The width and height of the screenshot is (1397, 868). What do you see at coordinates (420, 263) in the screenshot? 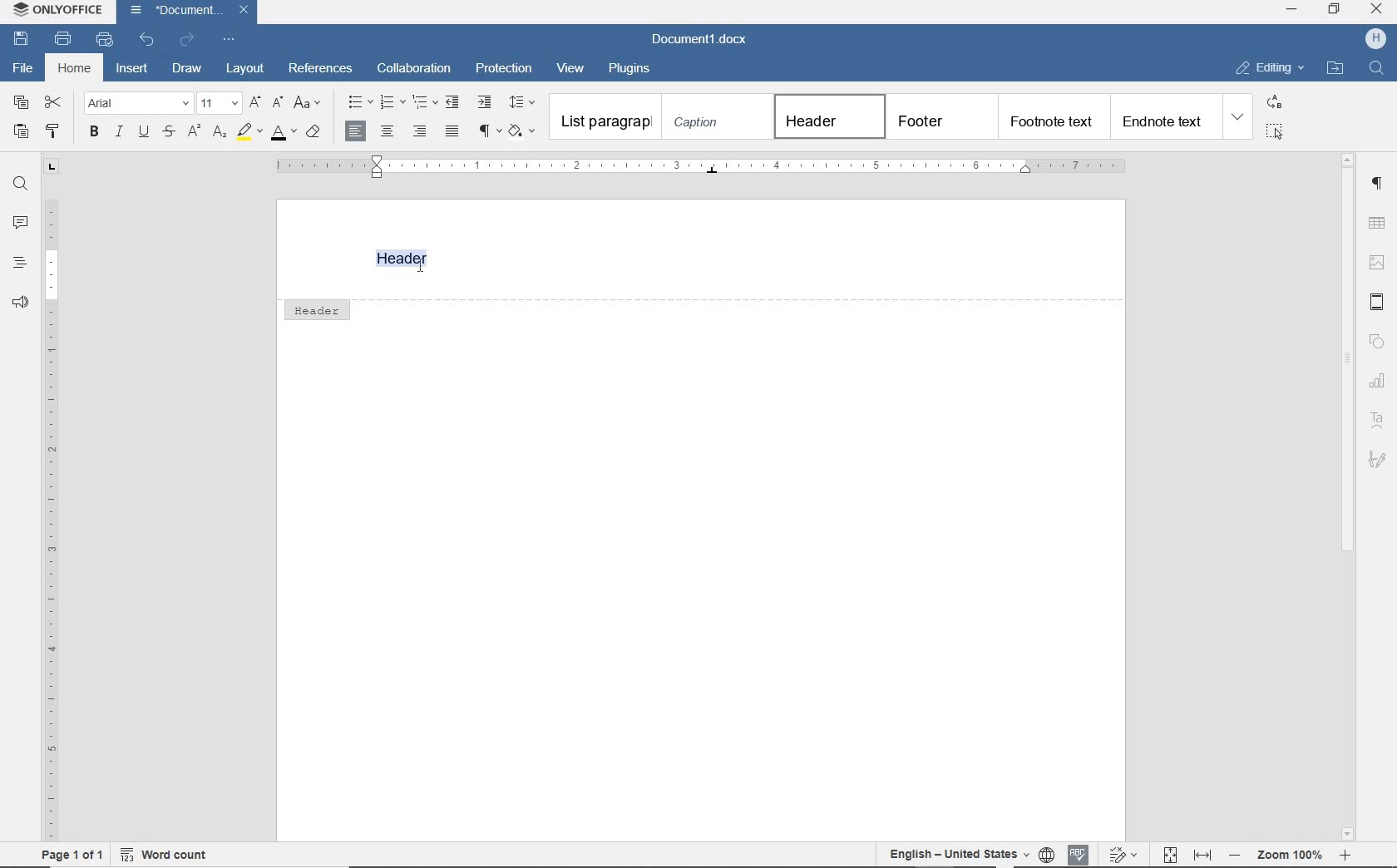
I see `Text cursor` at bounding box center [420, 263].